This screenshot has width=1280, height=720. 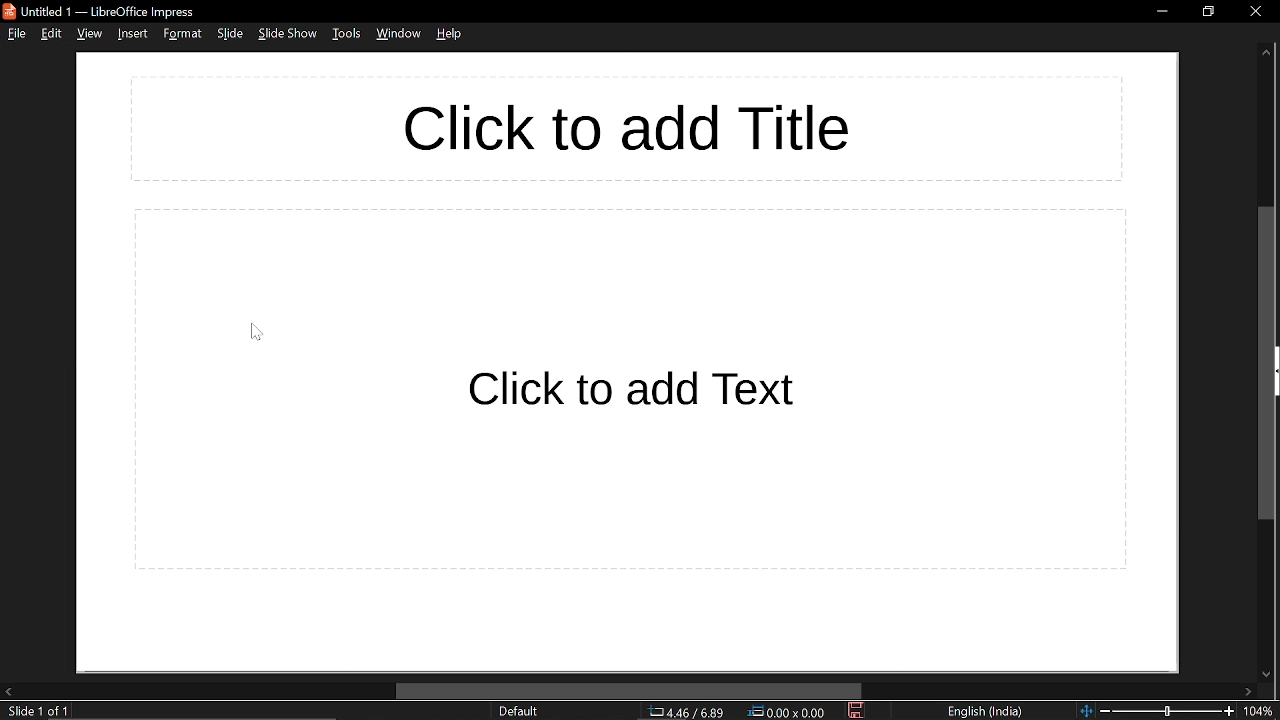 What do you see at coordinates (986, 712) in the screenshot?
I see `language` at bounding box center [986, 712].